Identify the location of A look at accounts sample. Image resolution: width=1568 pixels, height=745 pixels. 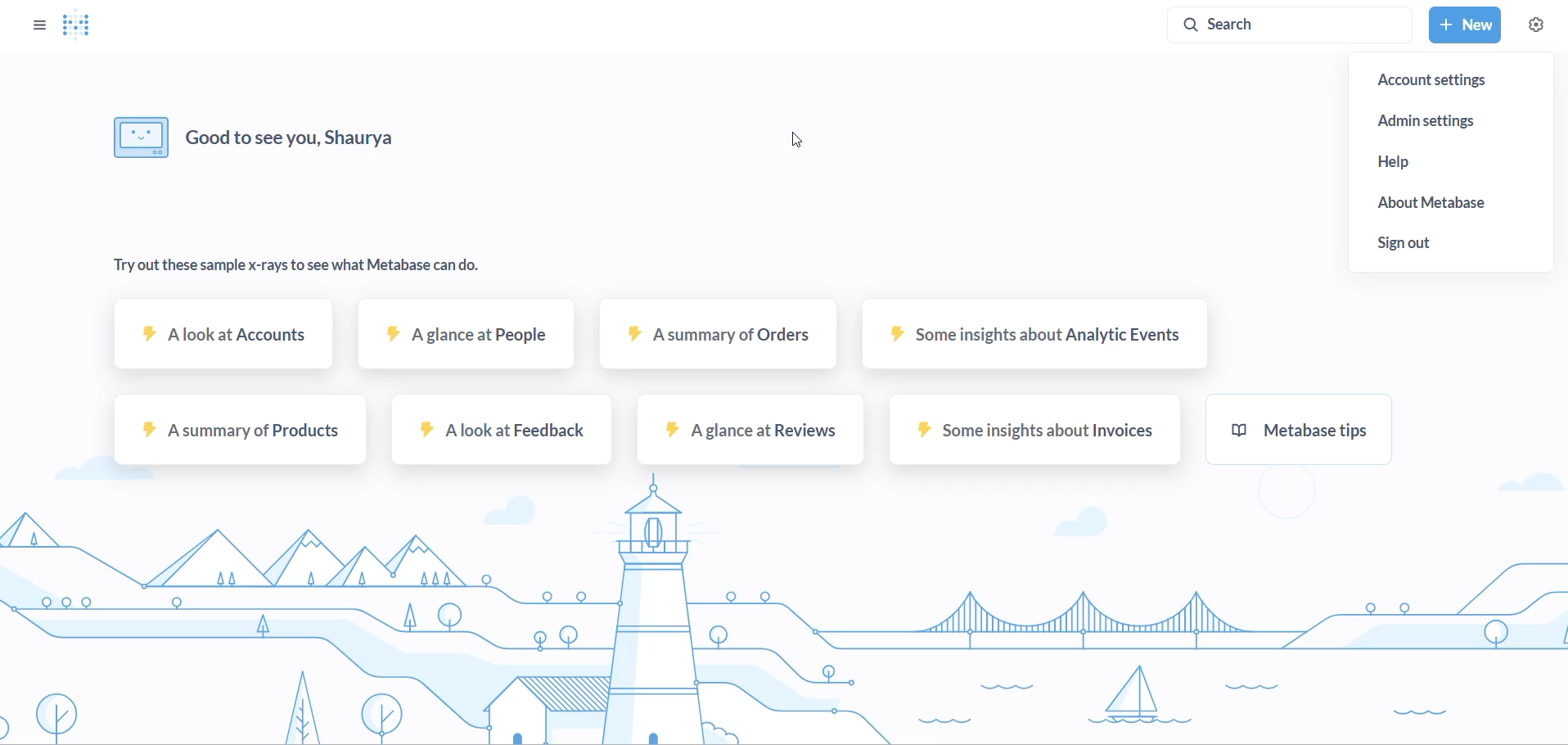
(225, 343).